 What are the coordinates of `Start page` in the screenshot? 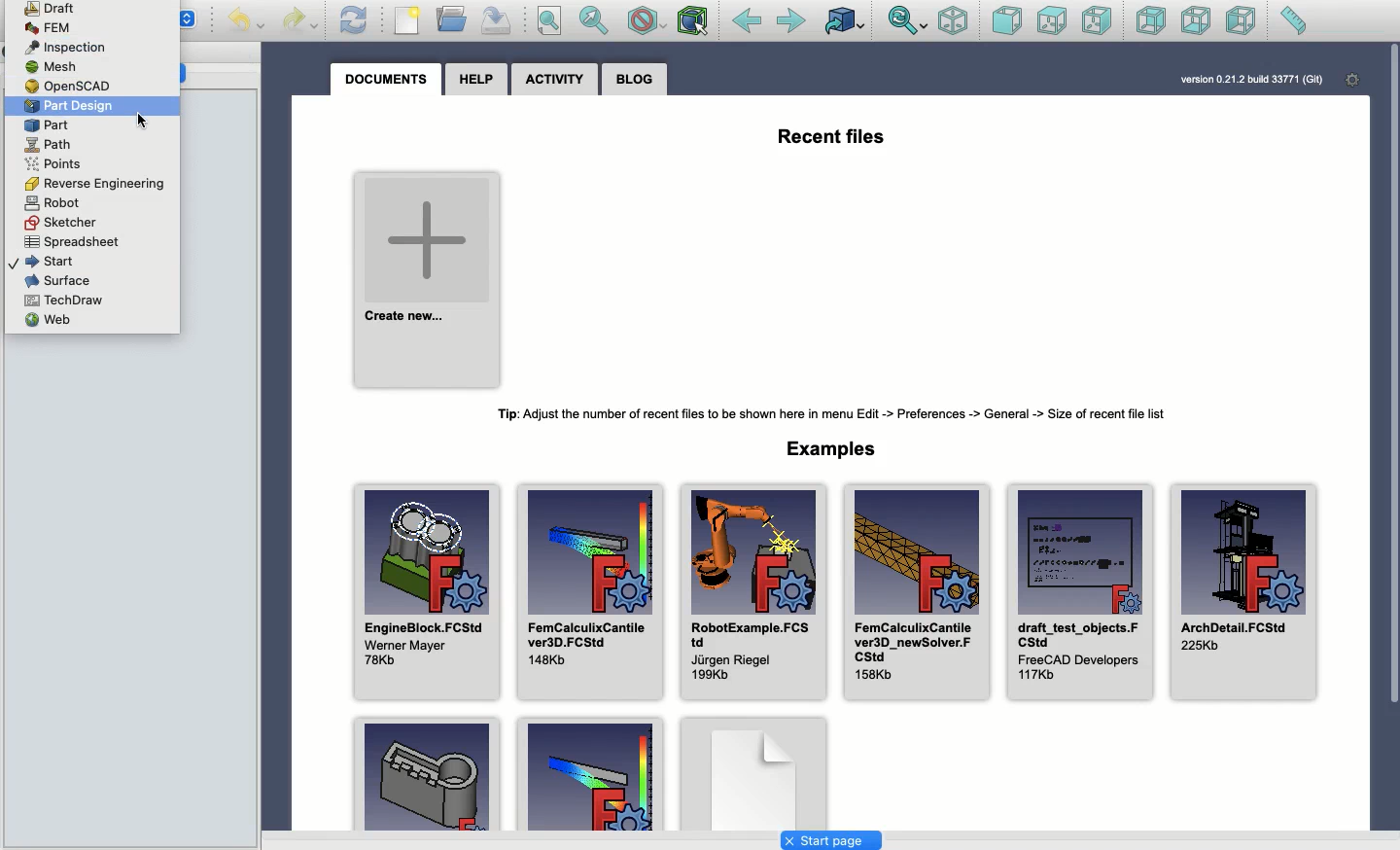 It's located at (830, 841).